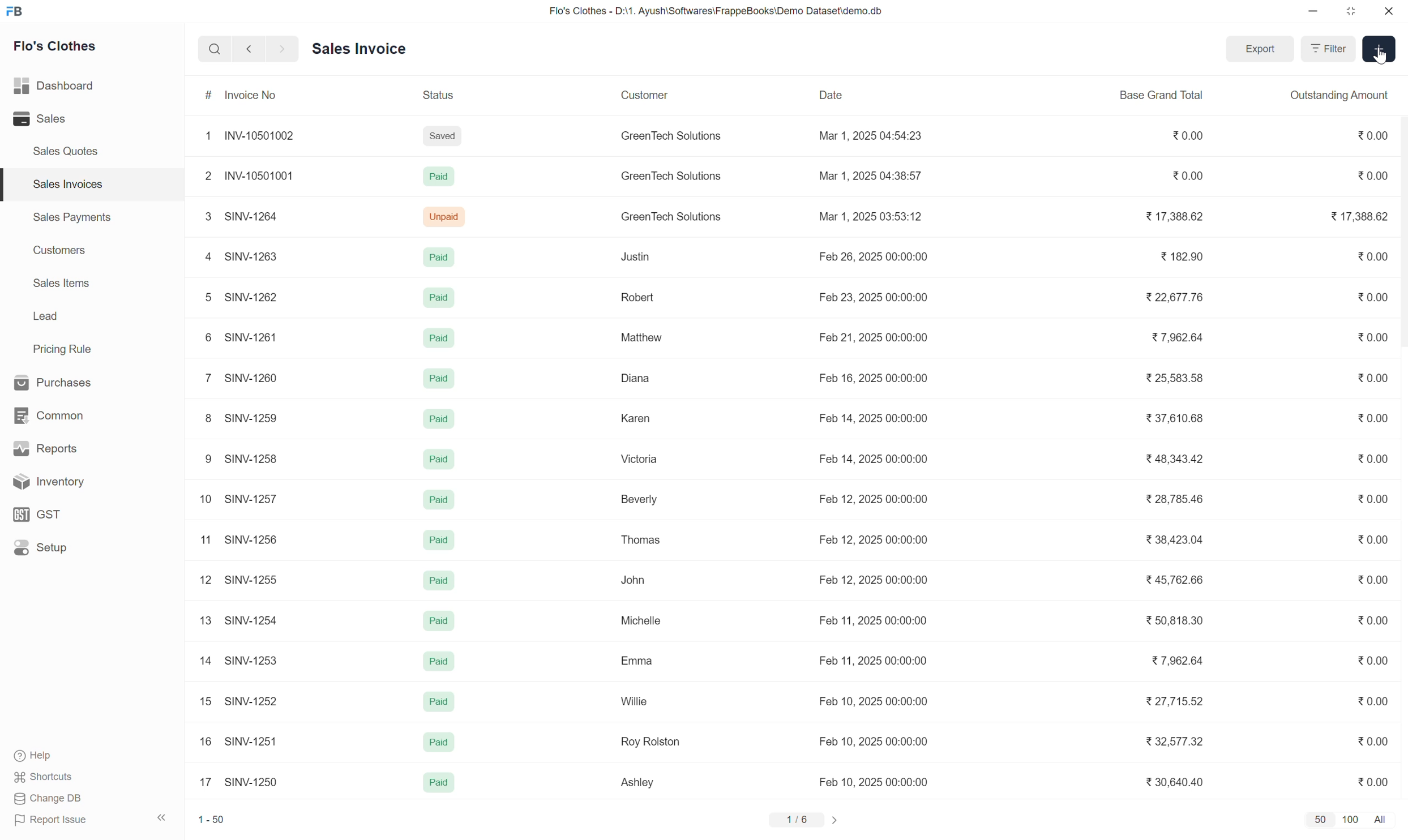  Describe the element at coordinates (671, 179) in the screenshot. I see `GreenTech Solutions` at that location.